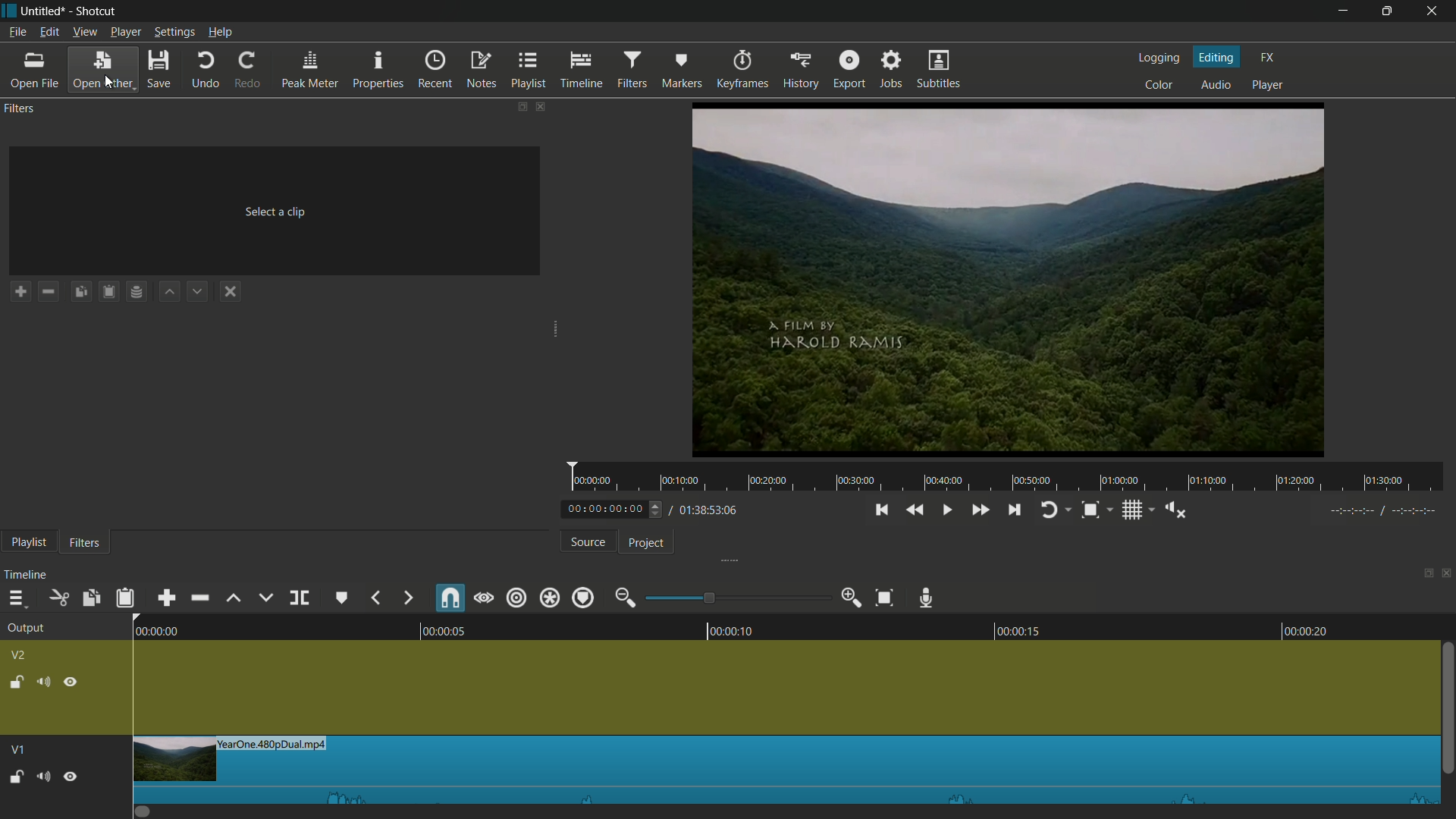 This screenshot has height=819, width=1456. I want to click on zoom timeline to fit, so click(884, 598).